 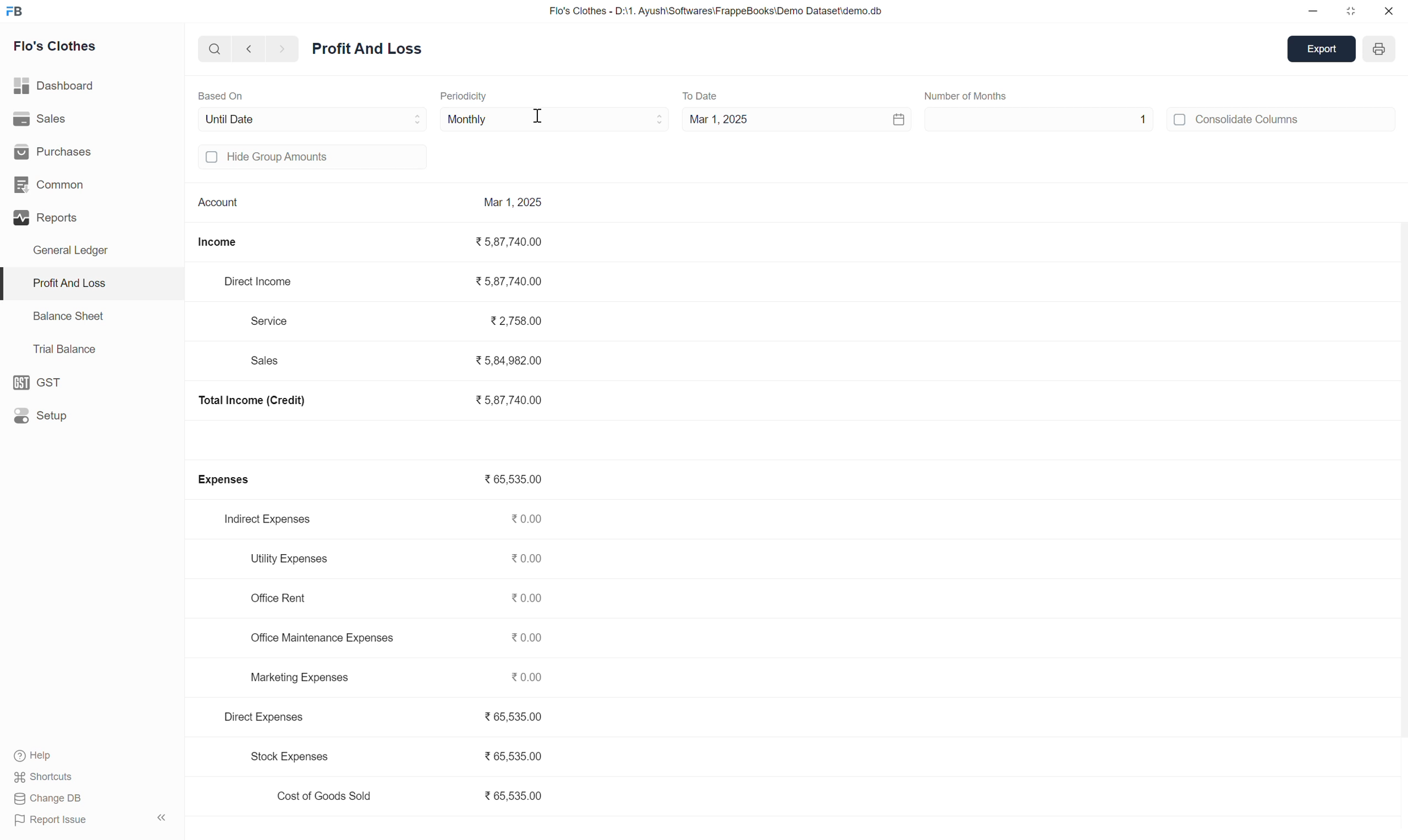 I want to click on Cost of Goods Sold, so click(x=319, y=796).